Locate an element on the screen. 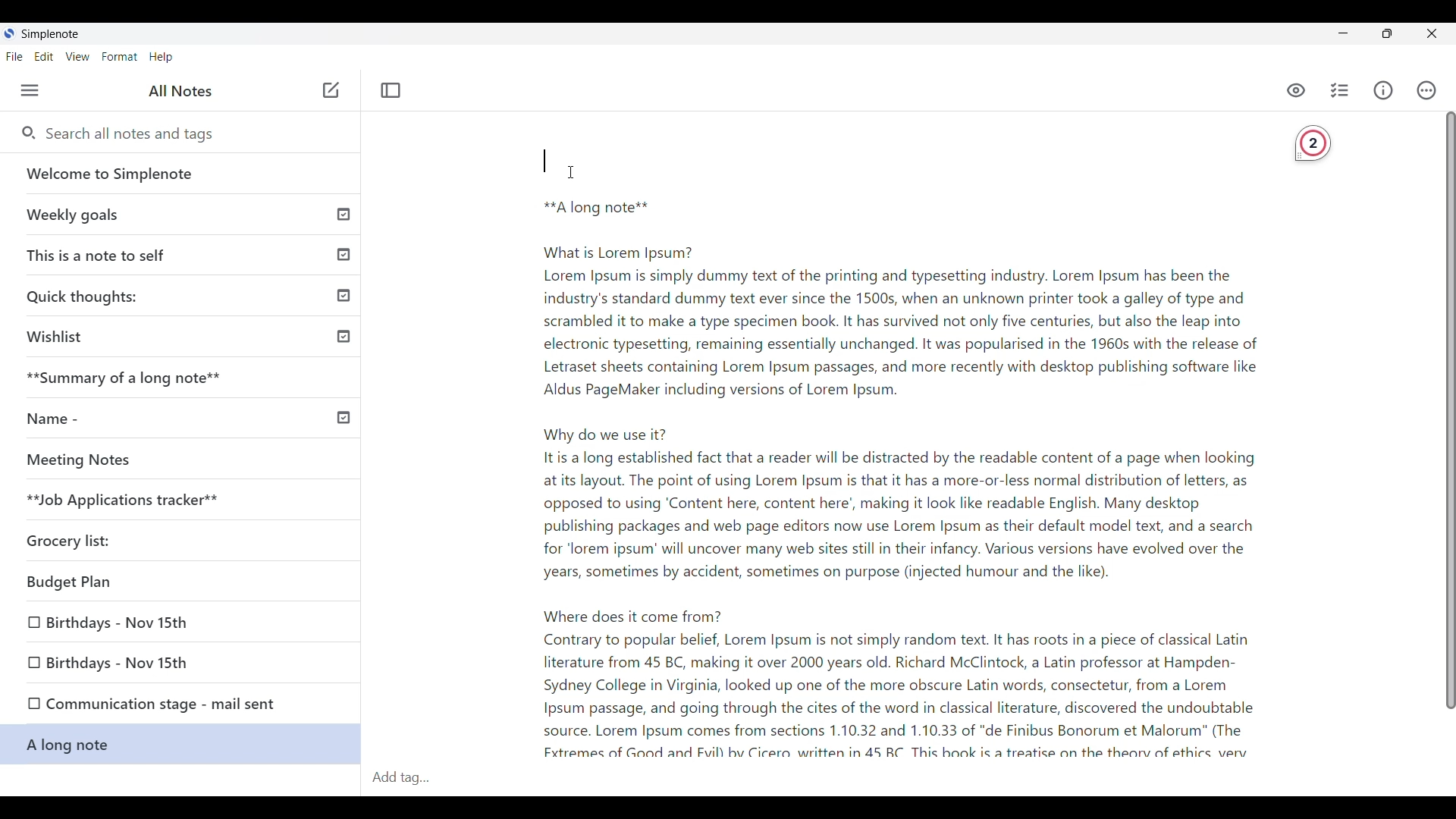 The image size is (1456, 819). Vertical slide bar is located at coordinates (1442, 419).